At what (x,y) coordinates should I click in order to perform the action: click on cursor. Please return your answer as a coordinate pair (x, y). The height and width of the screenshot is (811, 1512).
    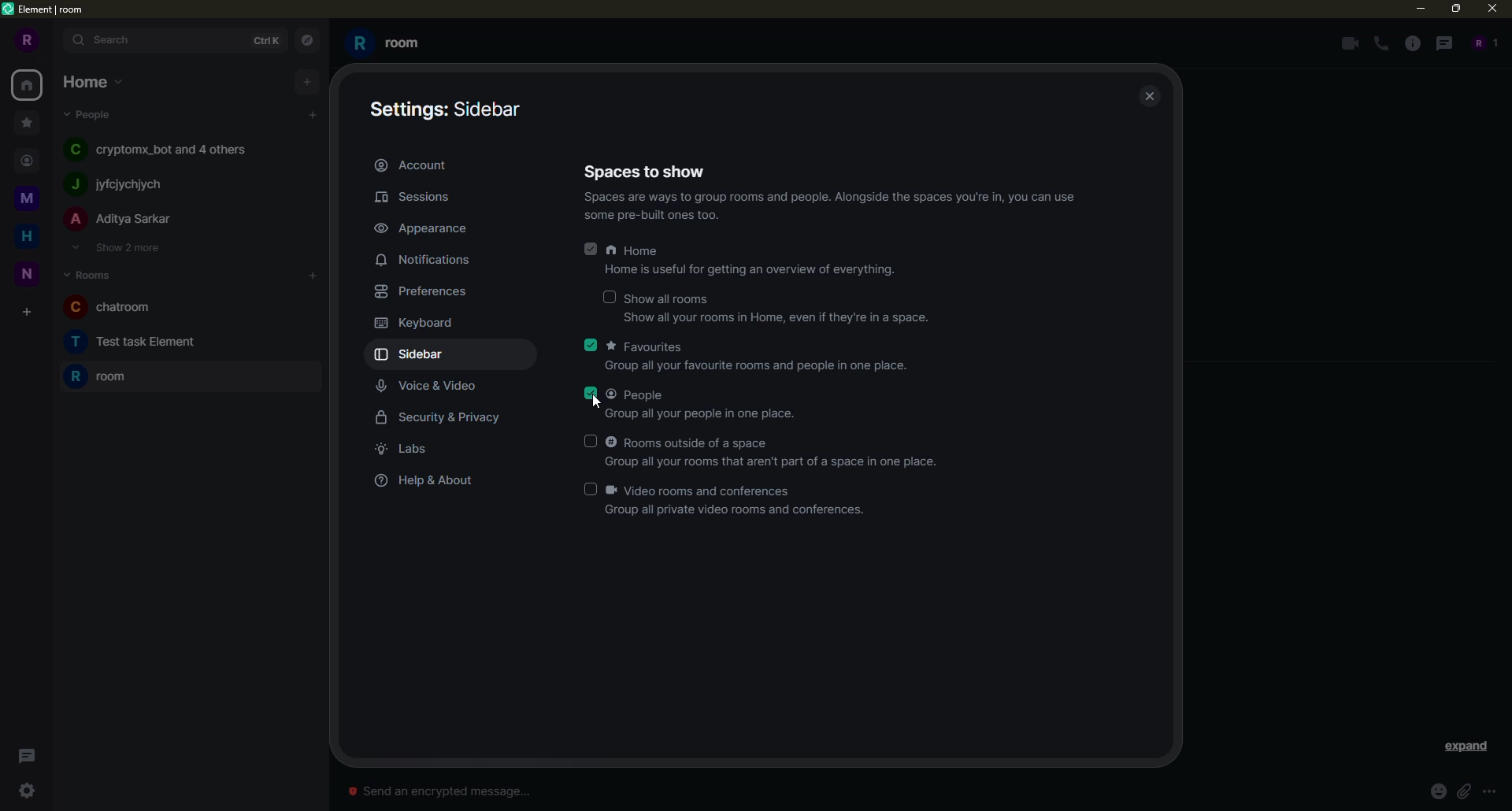
    Looking at the image, I should click on (603, 402).